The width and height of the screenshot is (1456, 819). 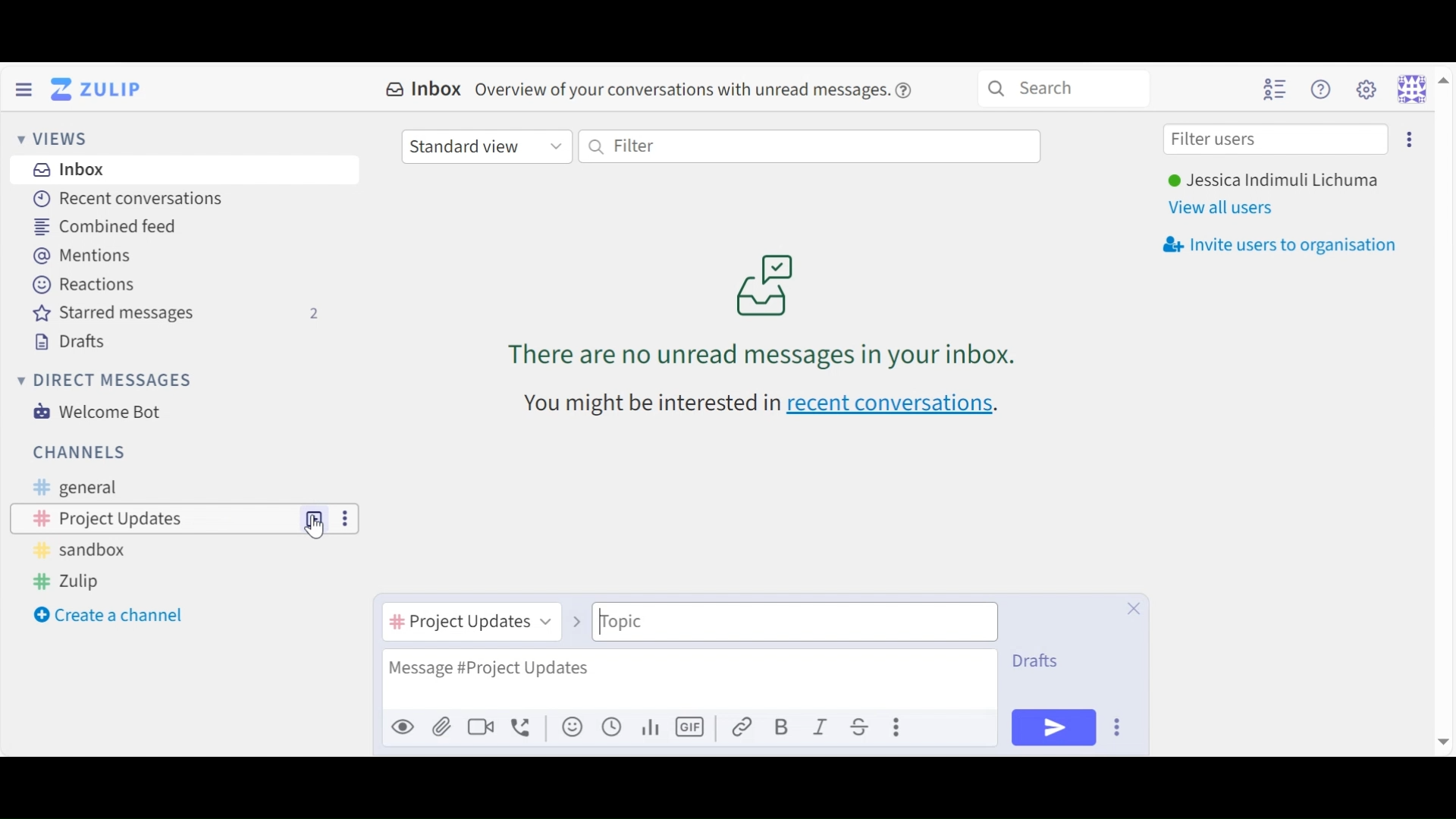 What do you see at coordinates (24, 88) in the screenshot?
I see `Hide Sidebar` at bounding box center [24, 88].